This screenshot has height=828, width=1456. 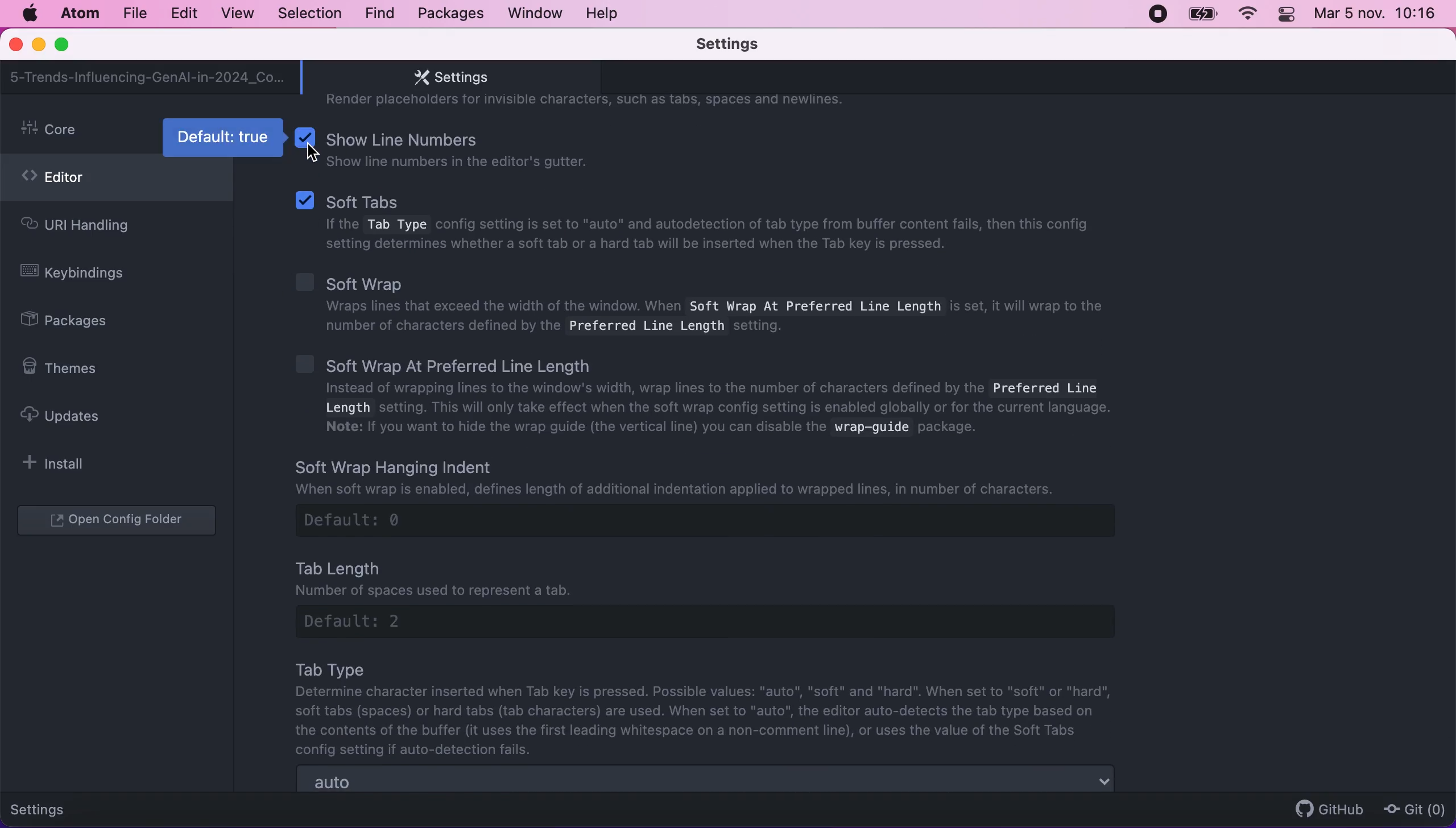 What do you see at coordinates (119, 521) in the screenshot?
I see `open config folder` at bounding box center [119, 521].